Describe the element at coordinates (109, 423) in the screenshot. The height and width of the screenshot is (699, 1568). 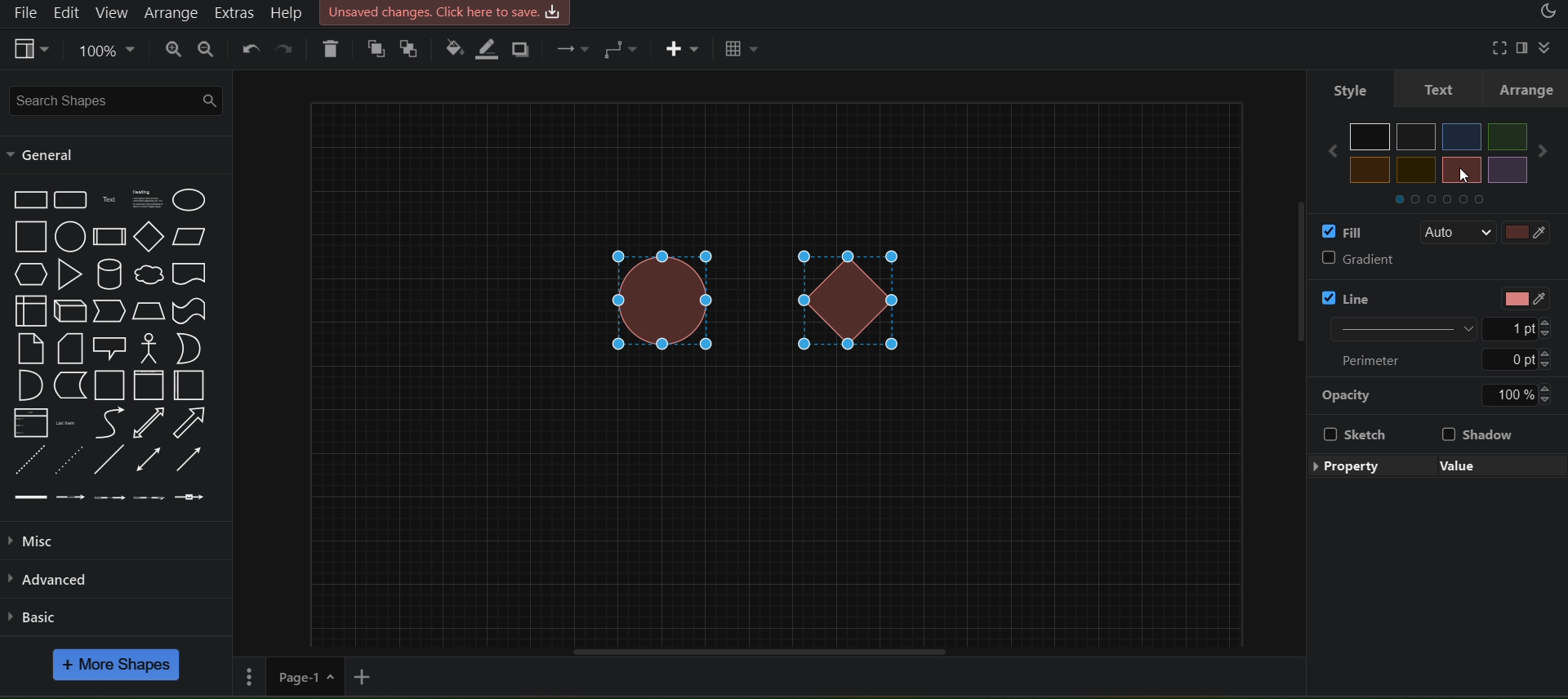
I see `Curve` at that location.